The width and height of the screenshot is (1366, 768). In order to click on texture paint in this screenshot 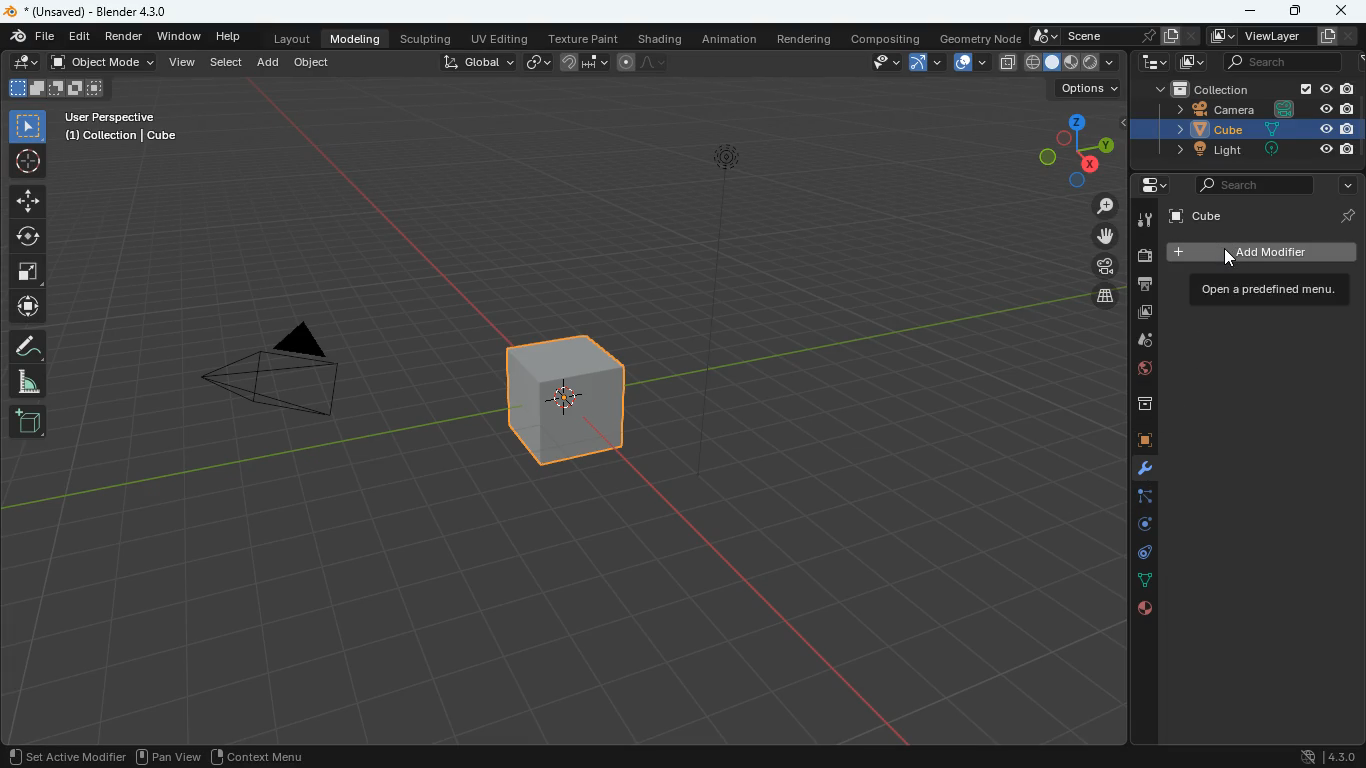, I will do `click(584, 38)`.